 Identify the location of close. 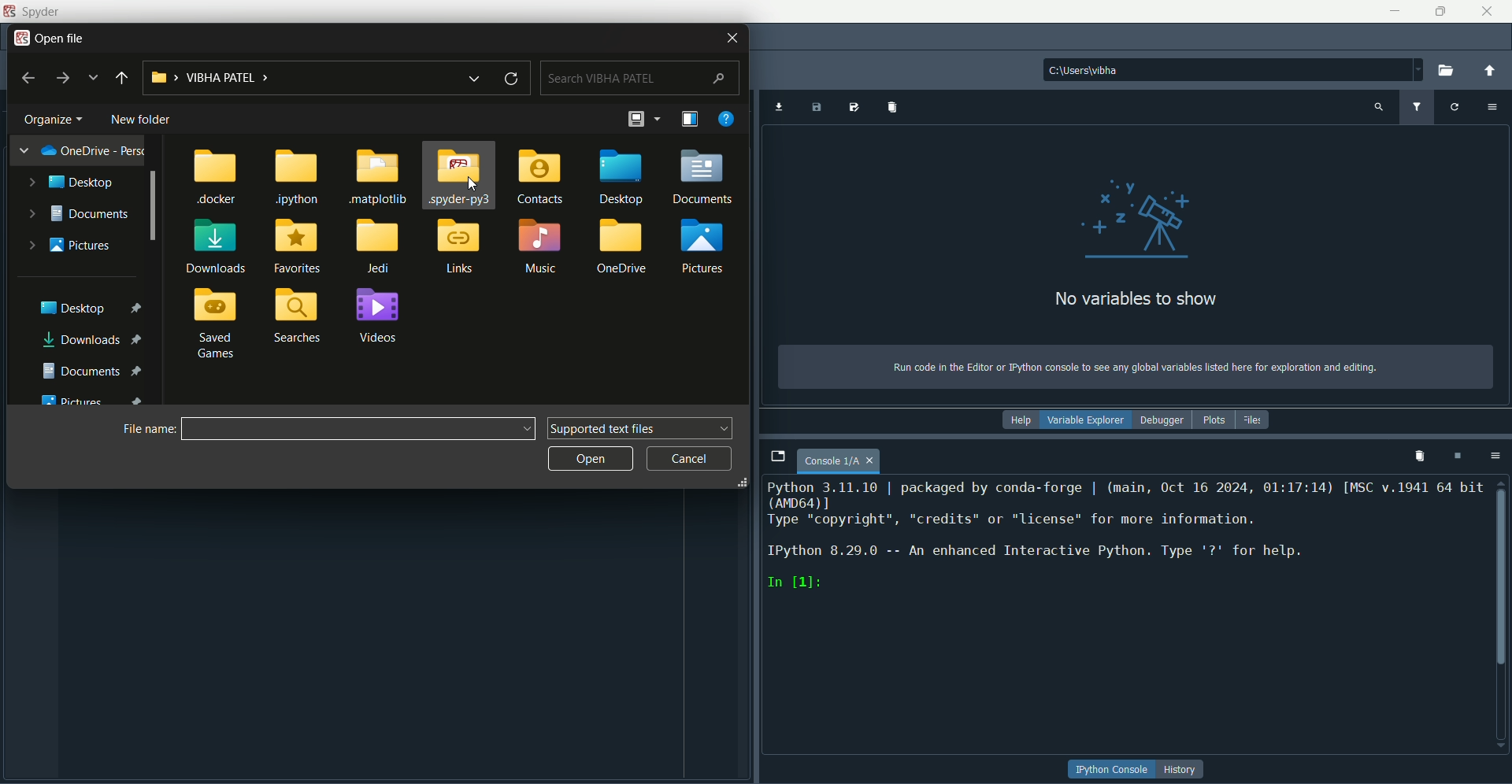
(1487, 11).